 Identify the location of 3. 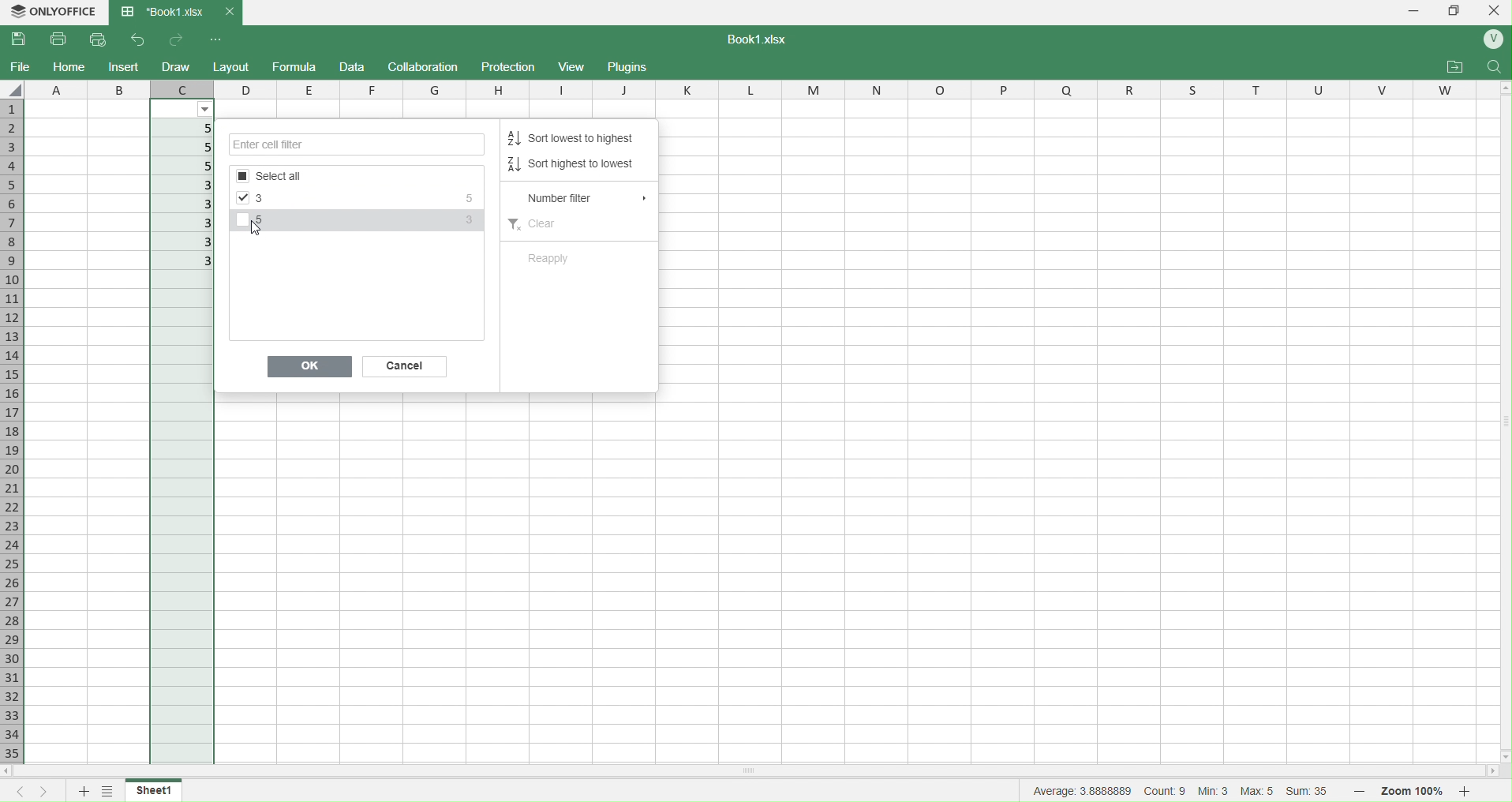
(270, 199).